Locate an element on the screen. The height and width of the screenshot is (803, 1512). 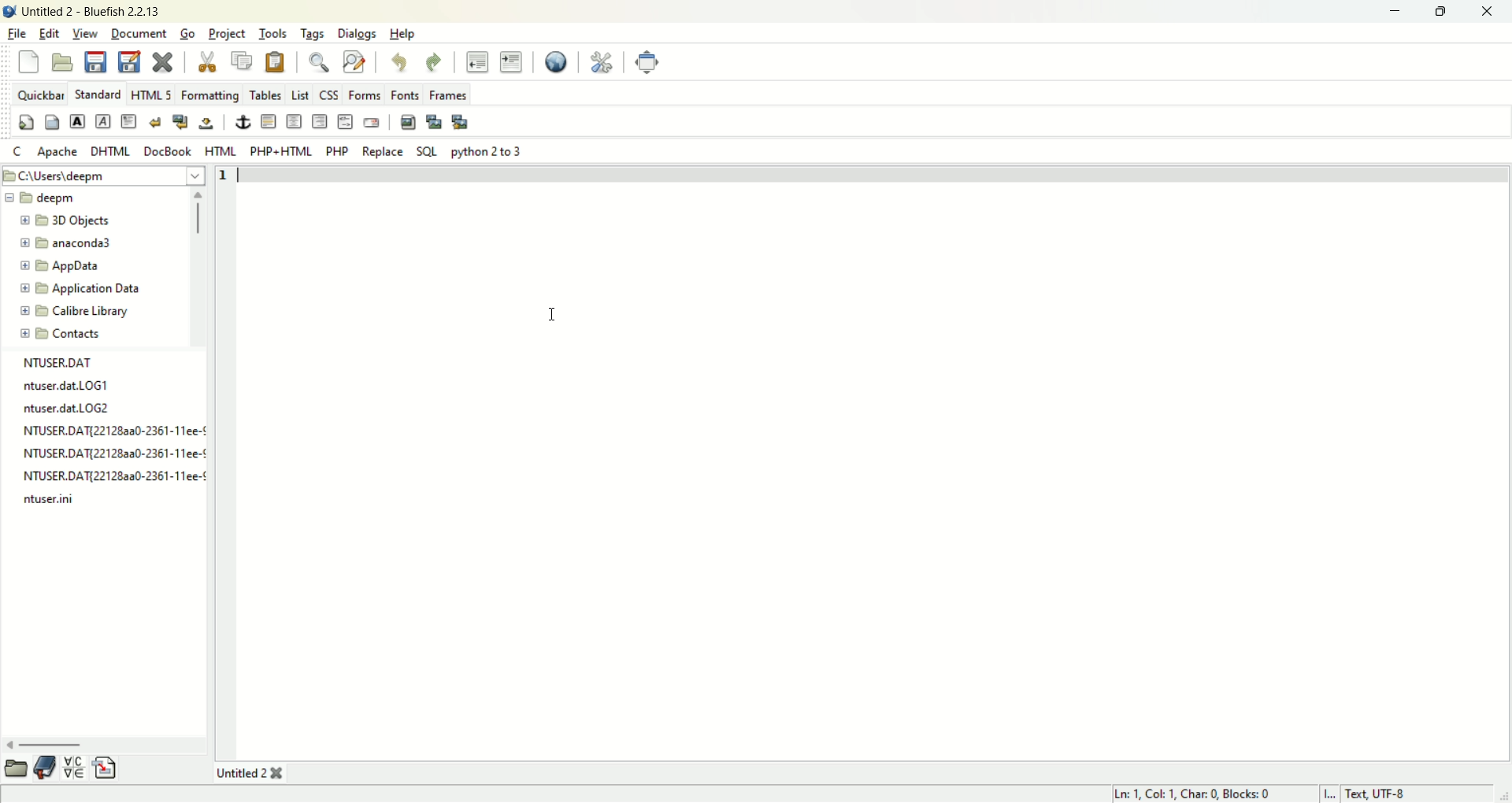
maximize is located at coordinates (1440, 12).